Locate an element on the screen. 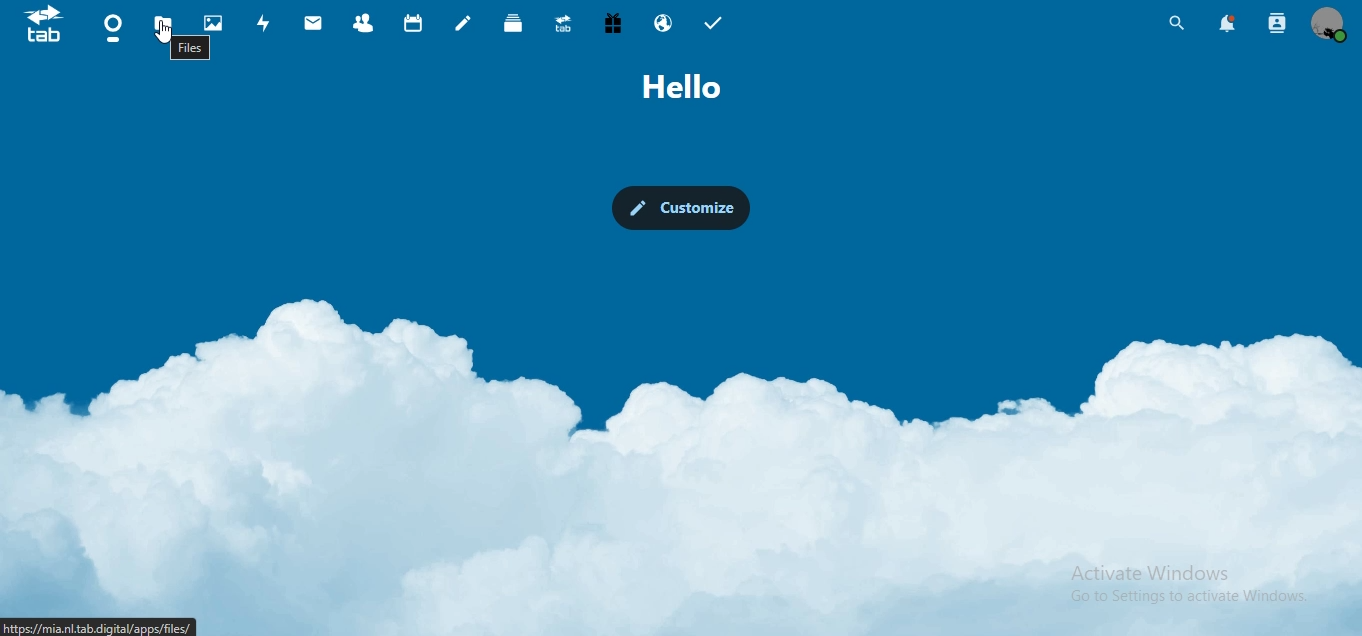 This screenshot has width=1362, height=636. text is located at coordinates (1187, 584).